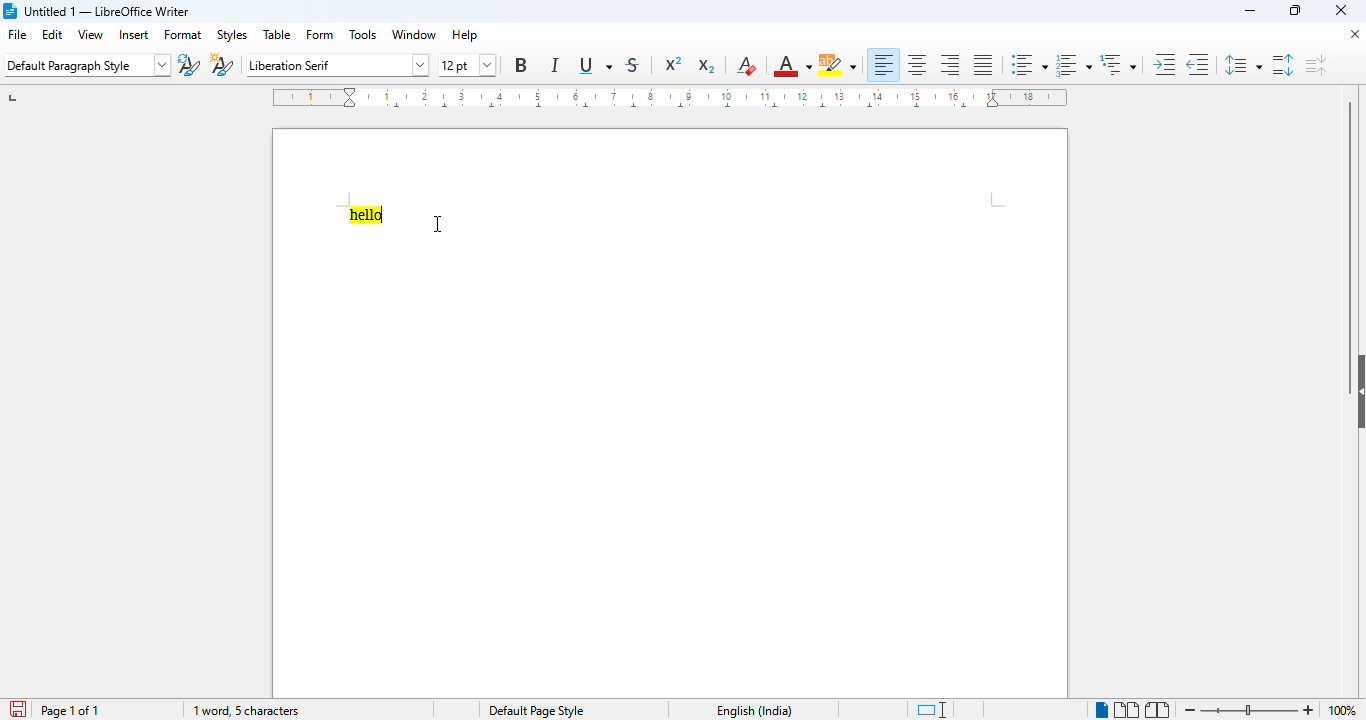  What do you see at coordinates (951, 66) in the screenshot?
I see `align right` at bounding box center [951, 66].